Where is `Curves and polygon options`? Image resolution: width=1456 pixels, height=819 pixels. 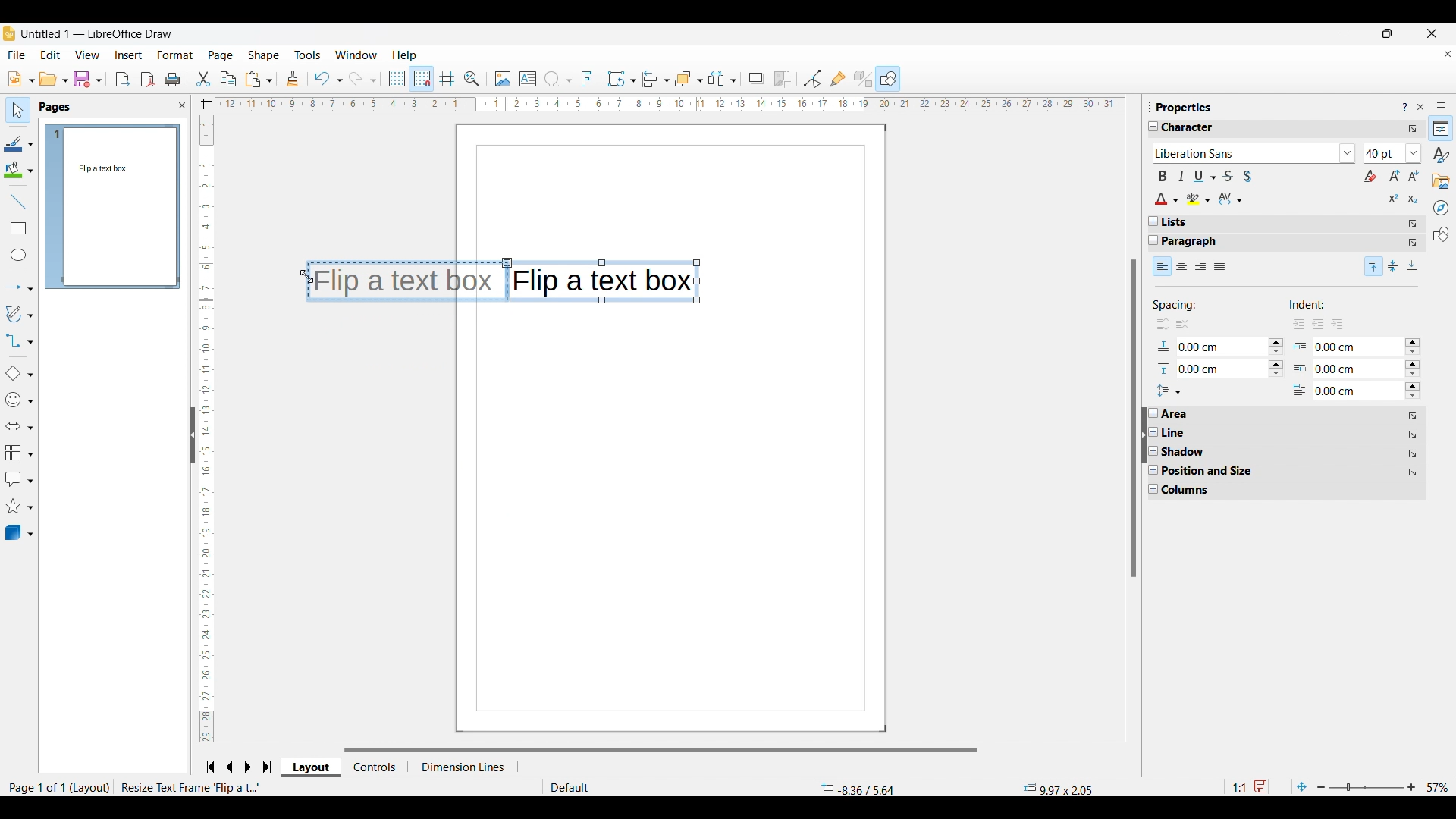 Curves and polygon options is located at coordinates (20, 314).